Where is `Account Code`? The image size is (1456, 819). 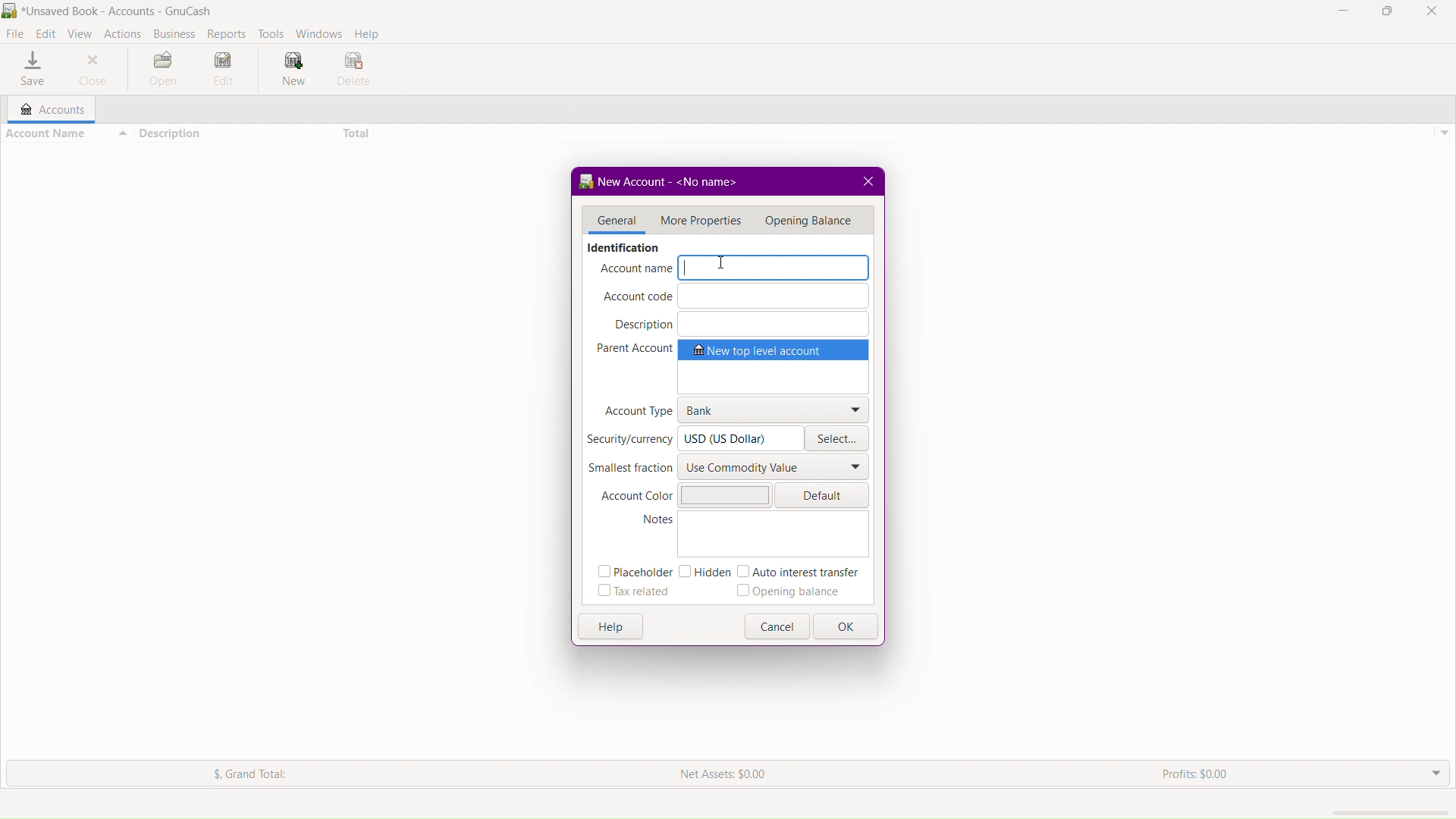
Account Code is located at coordinates (736, 297).